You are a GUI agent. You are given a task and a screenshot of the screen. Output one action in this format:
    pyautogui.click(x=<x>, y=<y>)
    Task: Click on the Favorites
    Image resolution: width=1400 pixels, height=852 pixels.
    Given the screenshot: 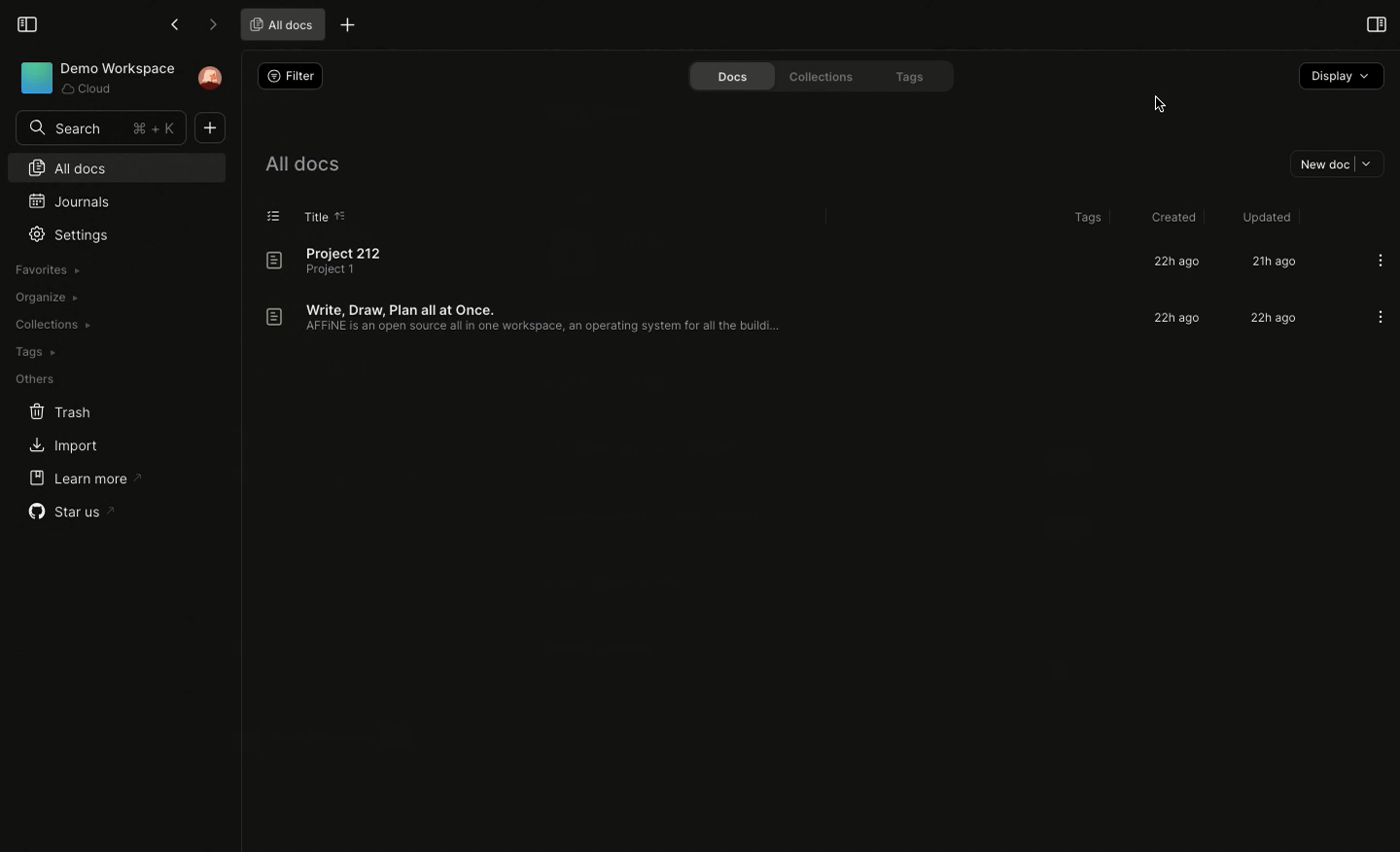 What is the action you would take?
    pyautogui.click(x=49, y=268)
    